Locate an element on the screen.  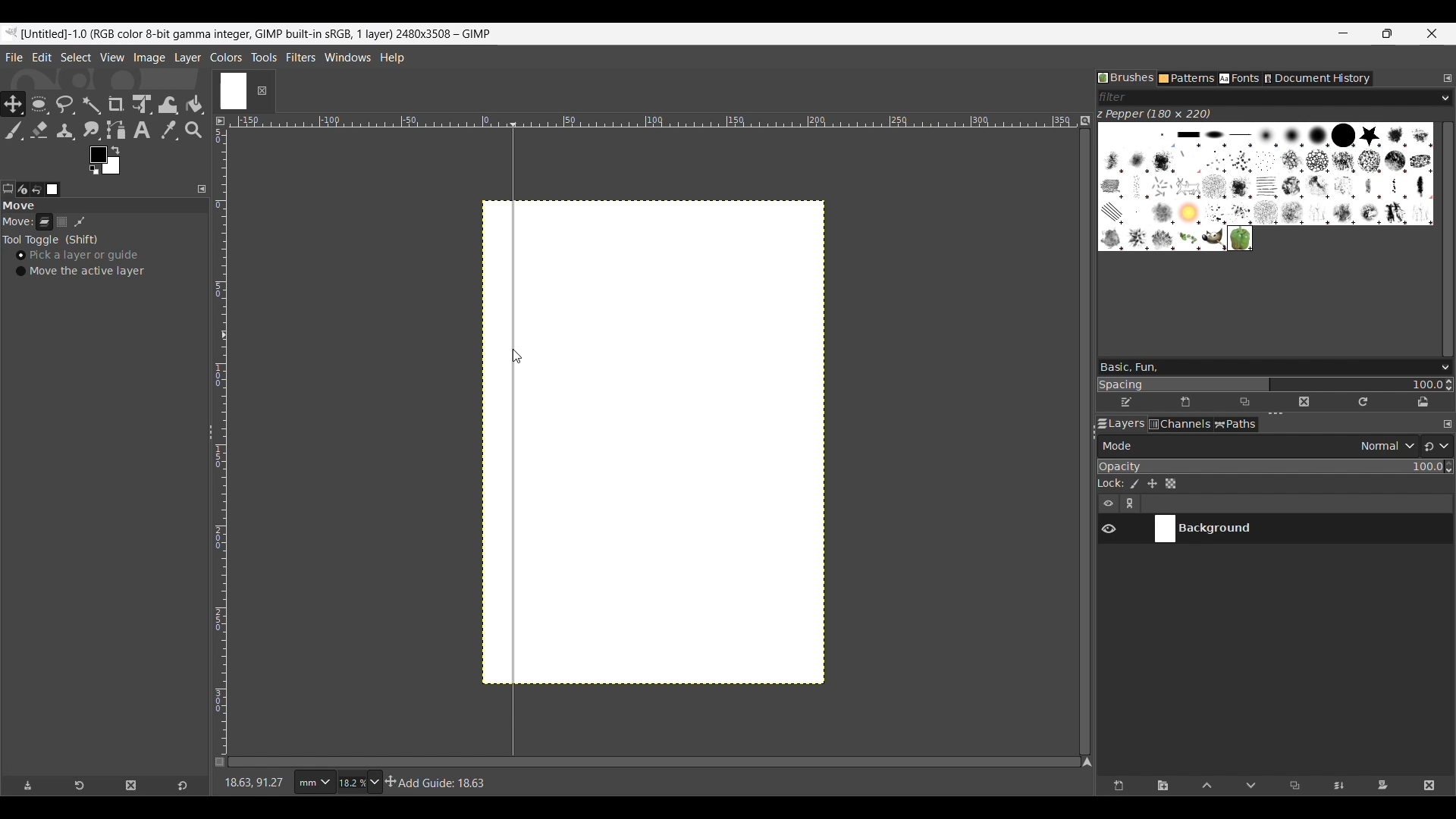
Layer is located at coordinates (45, 224).